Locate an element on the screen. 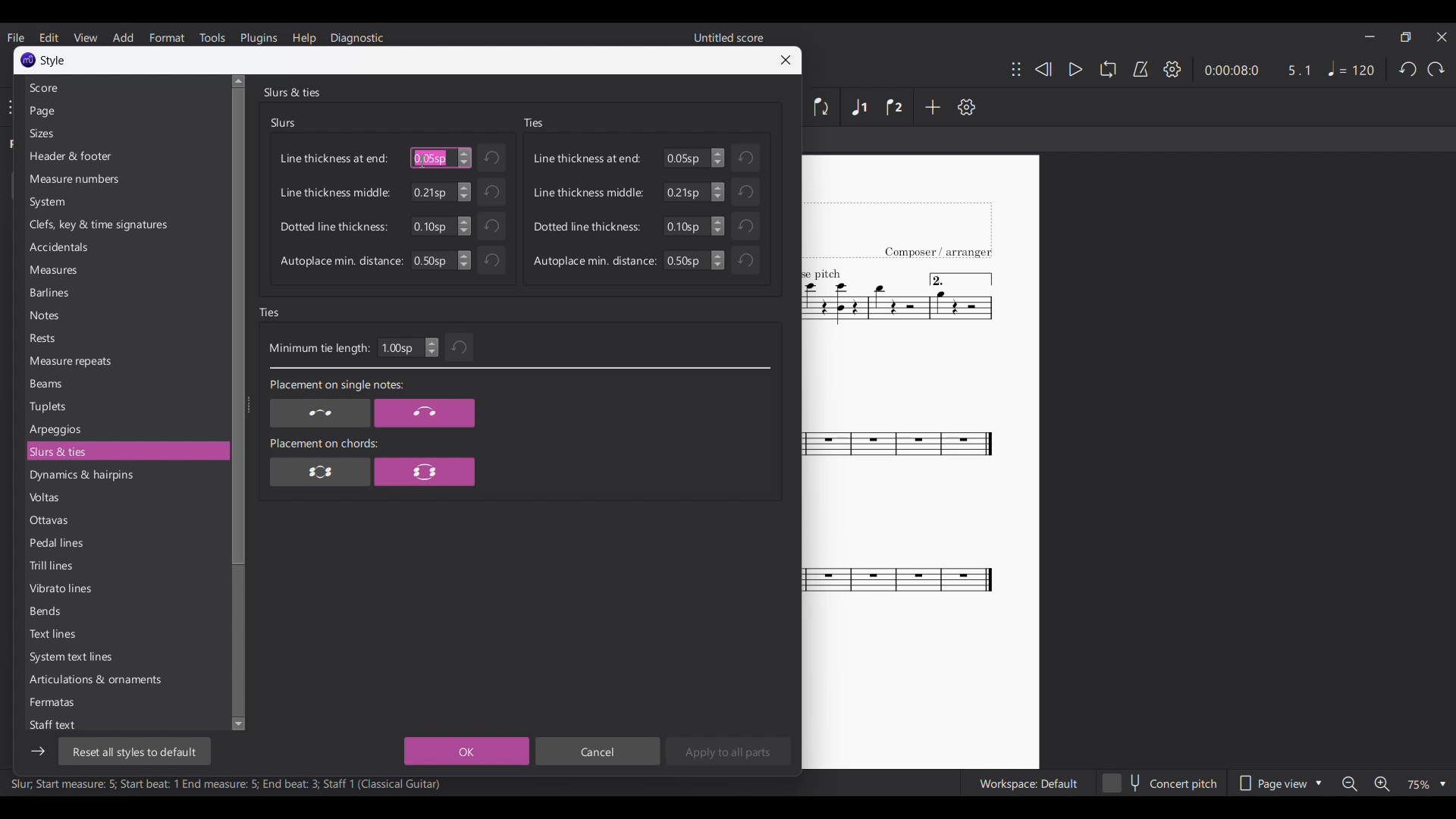 Image resolution: width=1456 pixels, height=819 pixels. Barlines is located at coordinates (125, 292).